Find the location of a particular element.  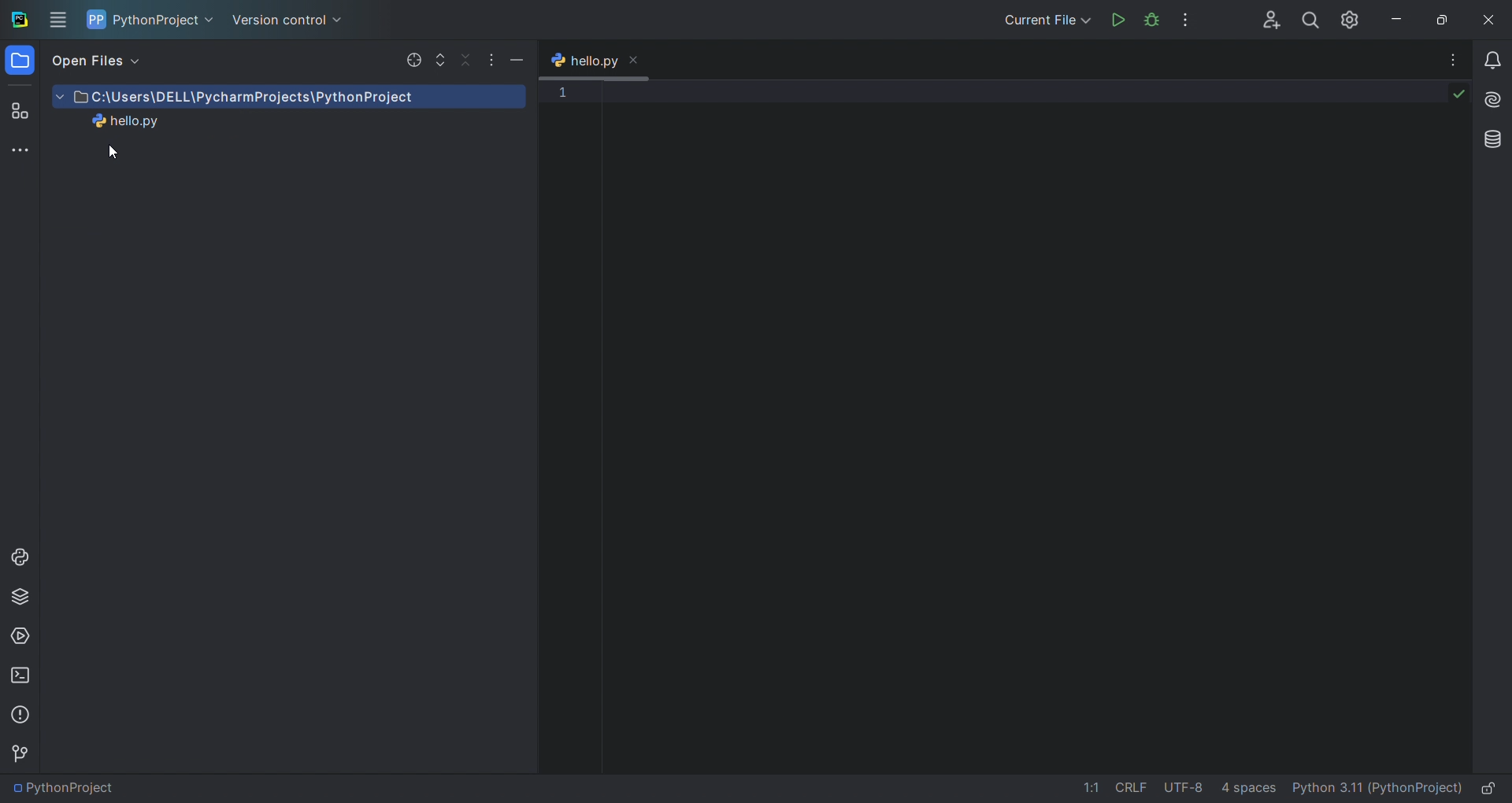

code check is located at coordinates (1457, 97).